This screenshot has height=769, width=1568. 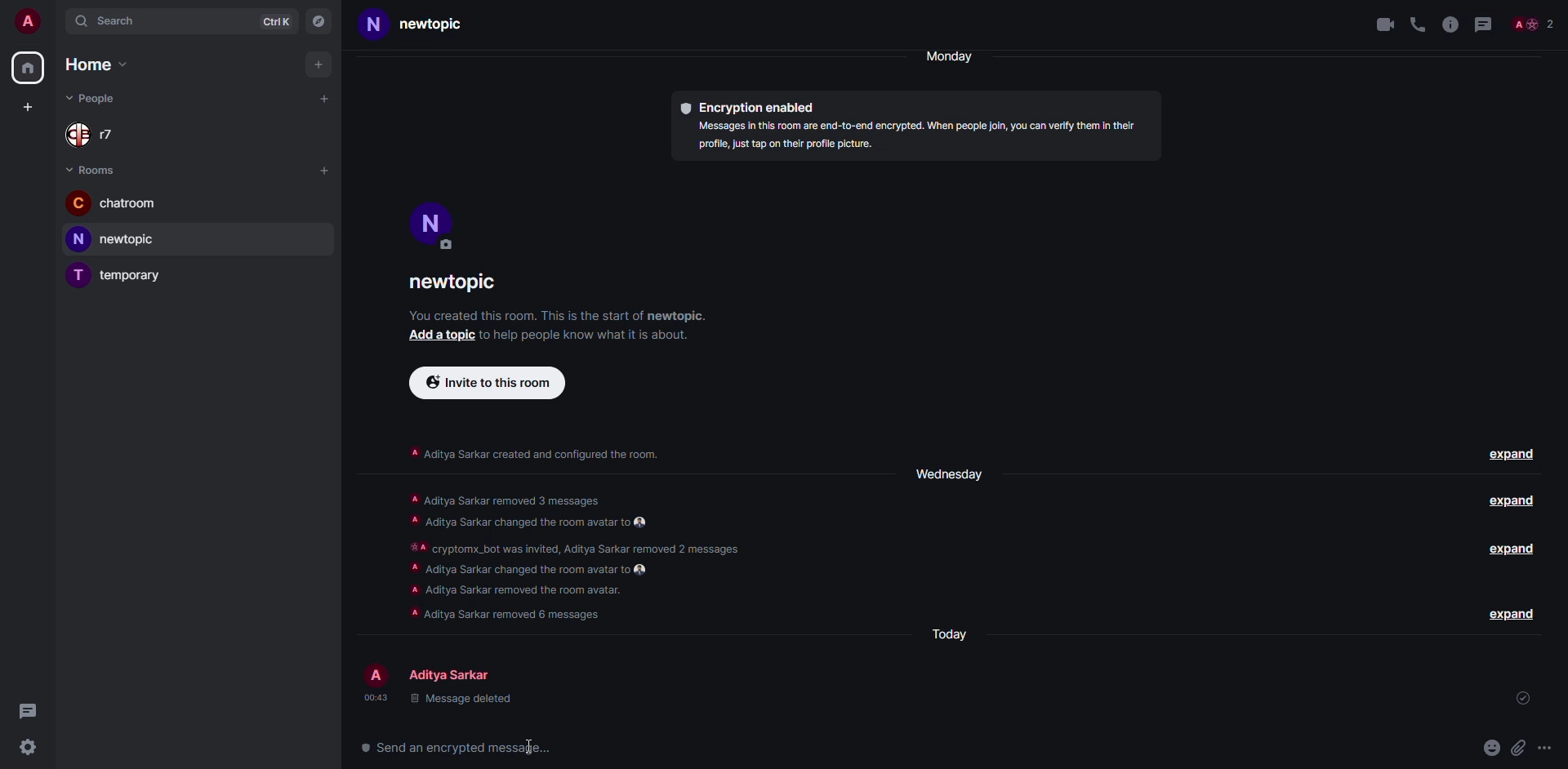 What do you see at coordinates (324, 100) in the screenshot?
I see `add` at bounding box center [324, 100].